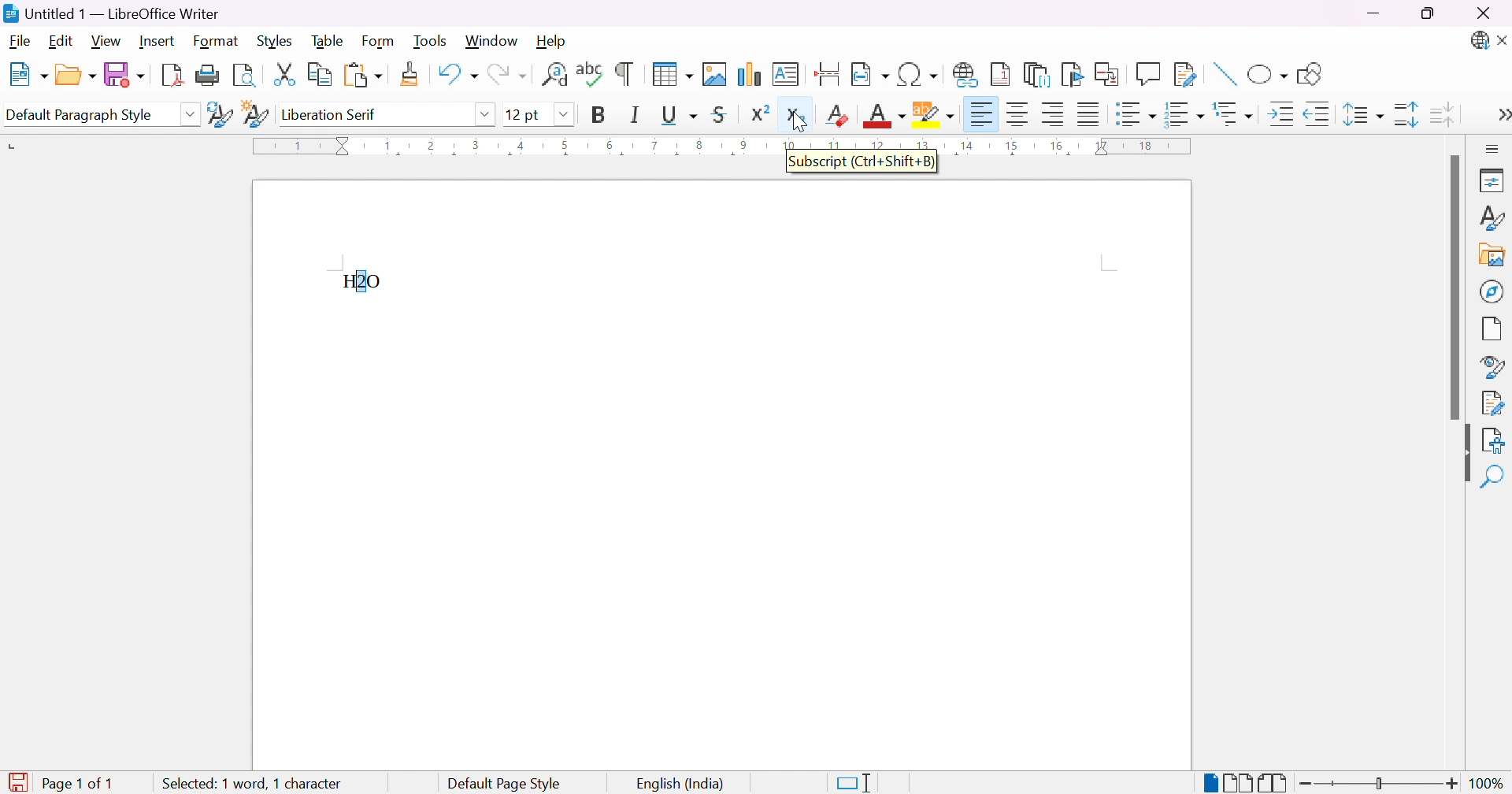 The width and height of the screenshot is (1512, 794). Describe the element at coordinates (1284, 117) in the screenshot. I see `Increase indent ` at that location.